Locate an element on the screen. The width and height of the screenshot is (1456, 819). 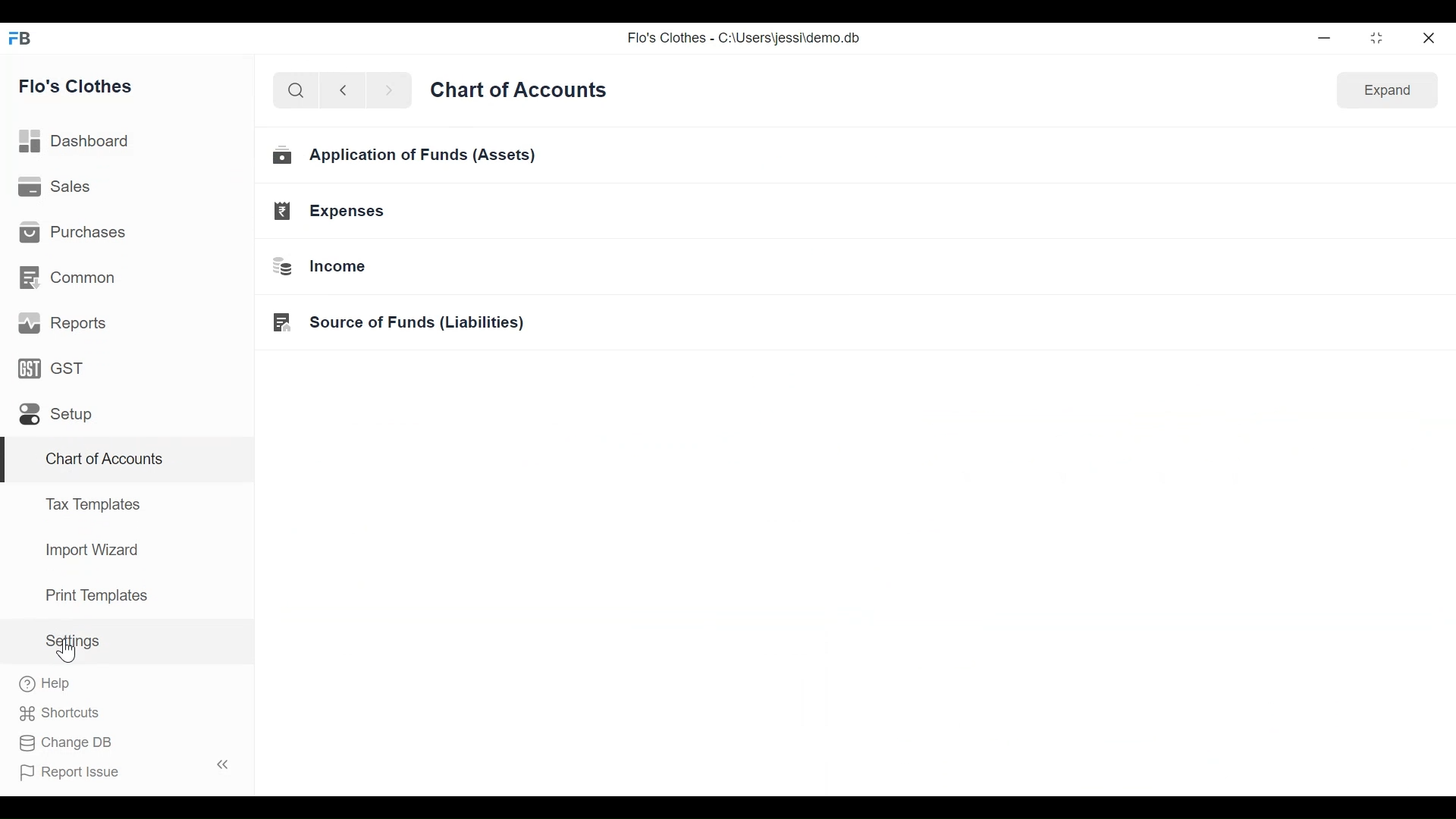
sales is located at coordinates (55, 185).